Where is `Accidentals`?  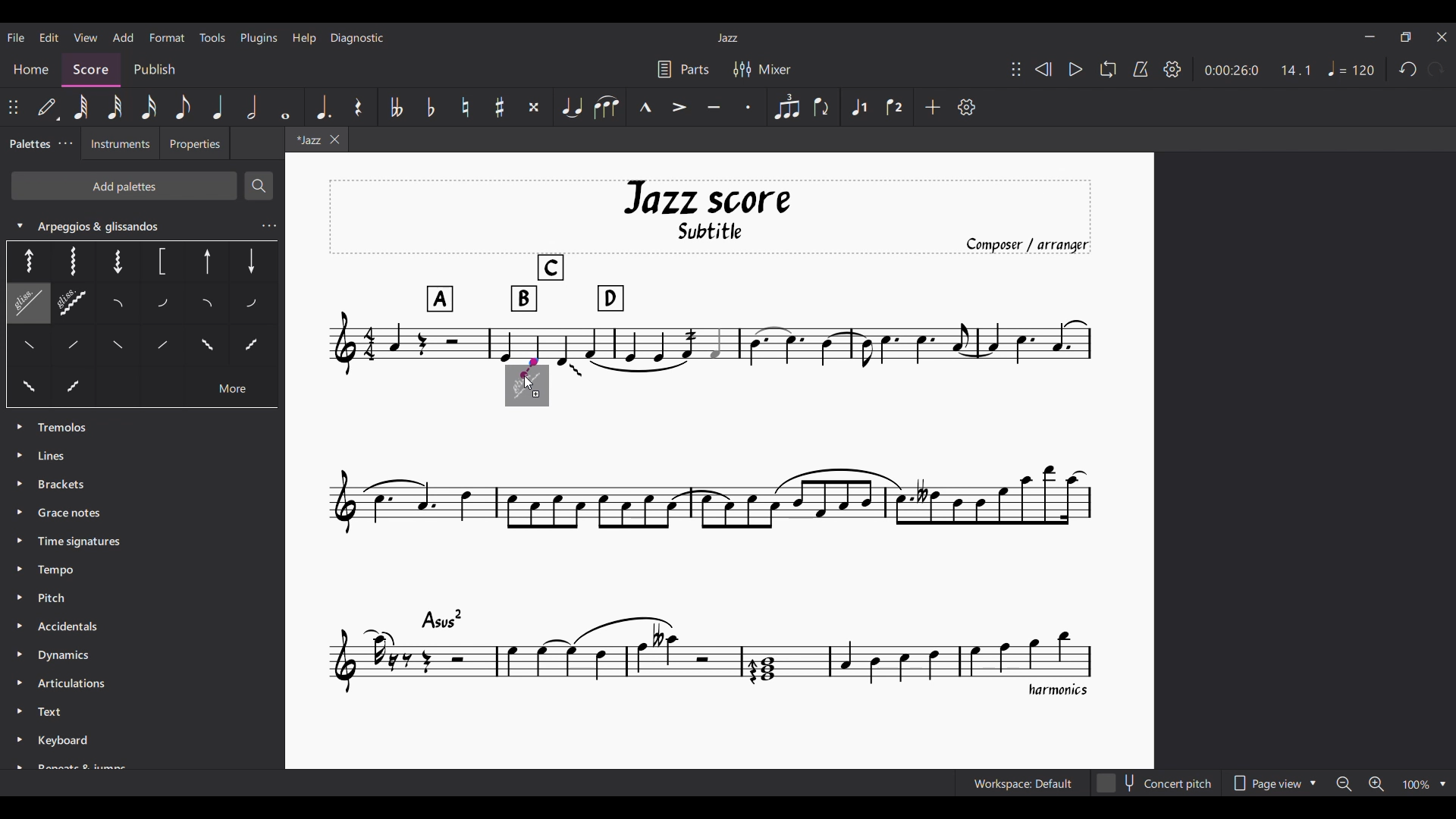
Accidentals is located at coordinates (76, 623).